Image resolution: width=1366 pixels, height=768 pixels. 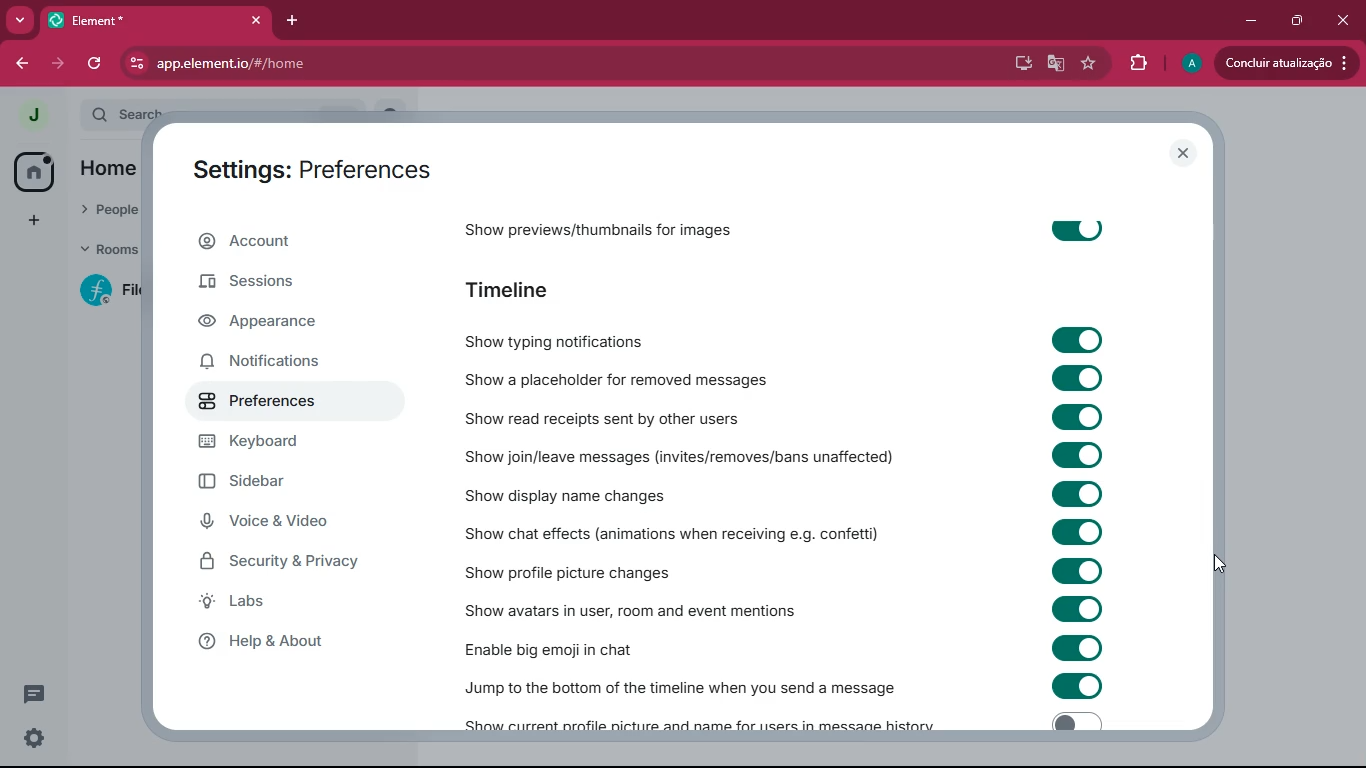 What do you see at coordinates (273, 606) in the screenshot?
I see `labs` at bounding box center [273, 606].